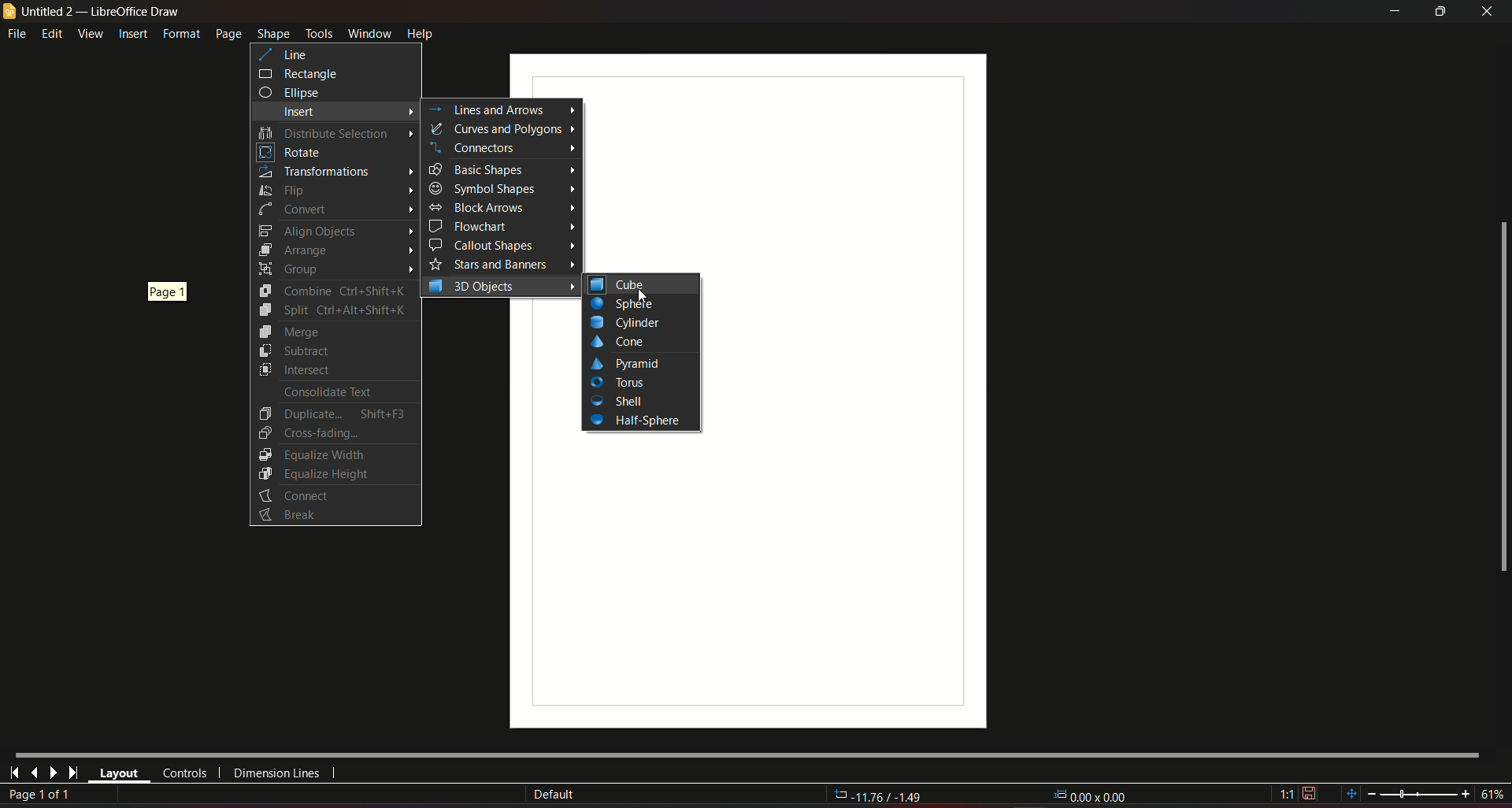 The image size is (1512, 808). I want to click on Tools, so click(622, 384).